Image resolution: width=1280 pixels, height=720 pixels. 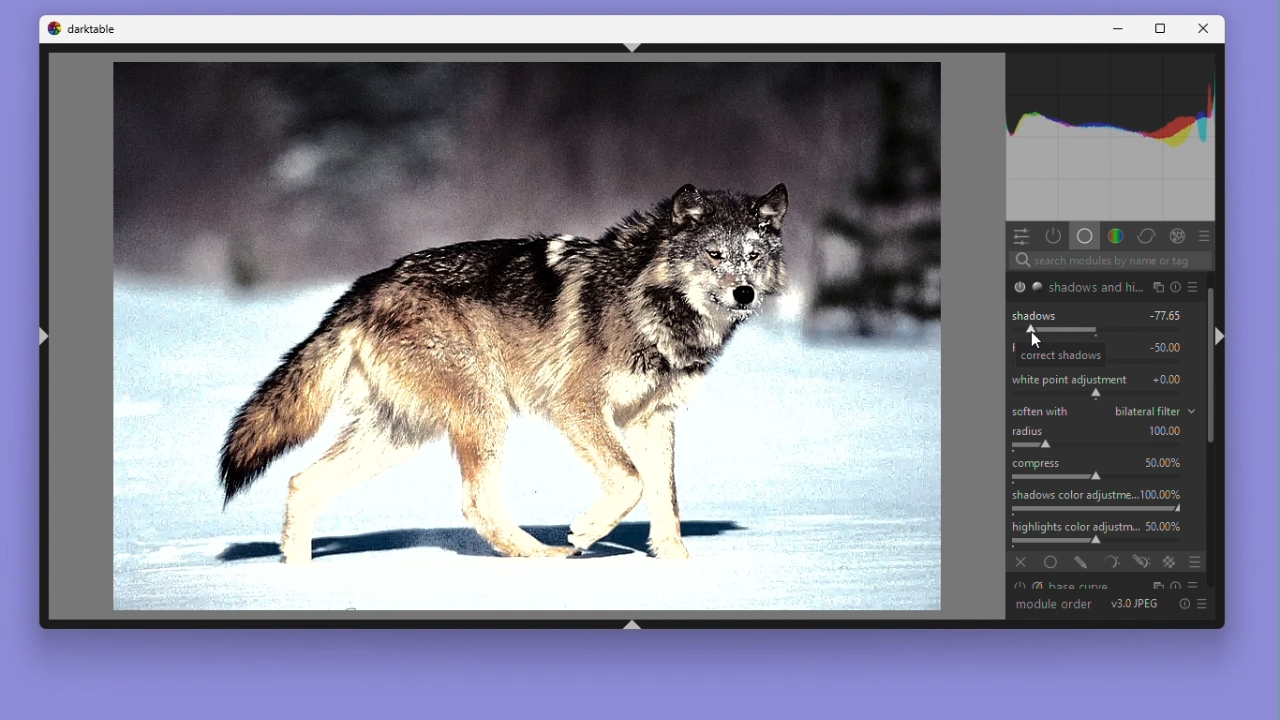 I want to click on Base, so click(x=1084, y=236).